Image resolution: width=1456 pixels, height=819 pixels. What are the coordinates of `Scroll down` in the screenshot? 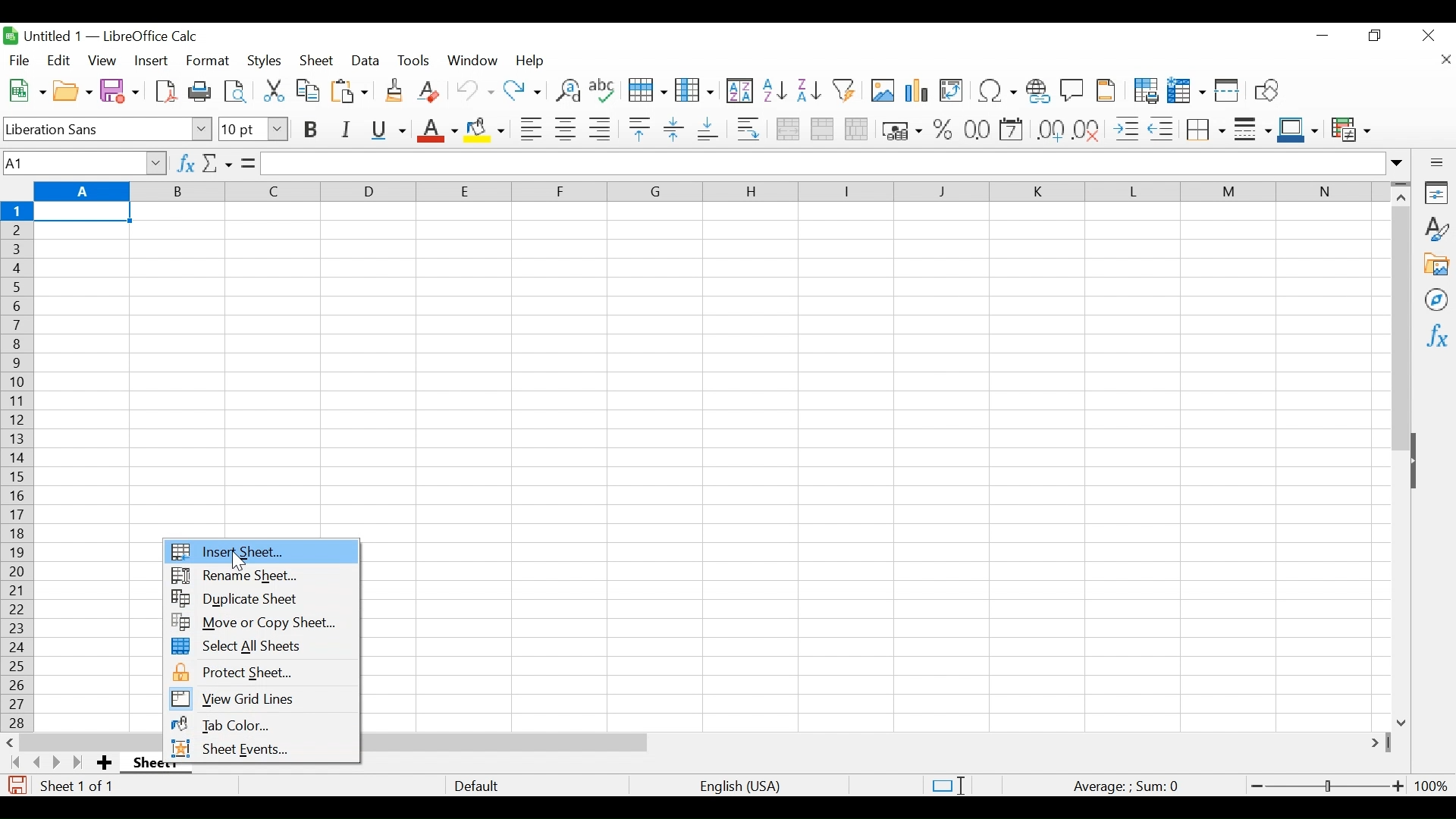 It's located at (1402, 720).